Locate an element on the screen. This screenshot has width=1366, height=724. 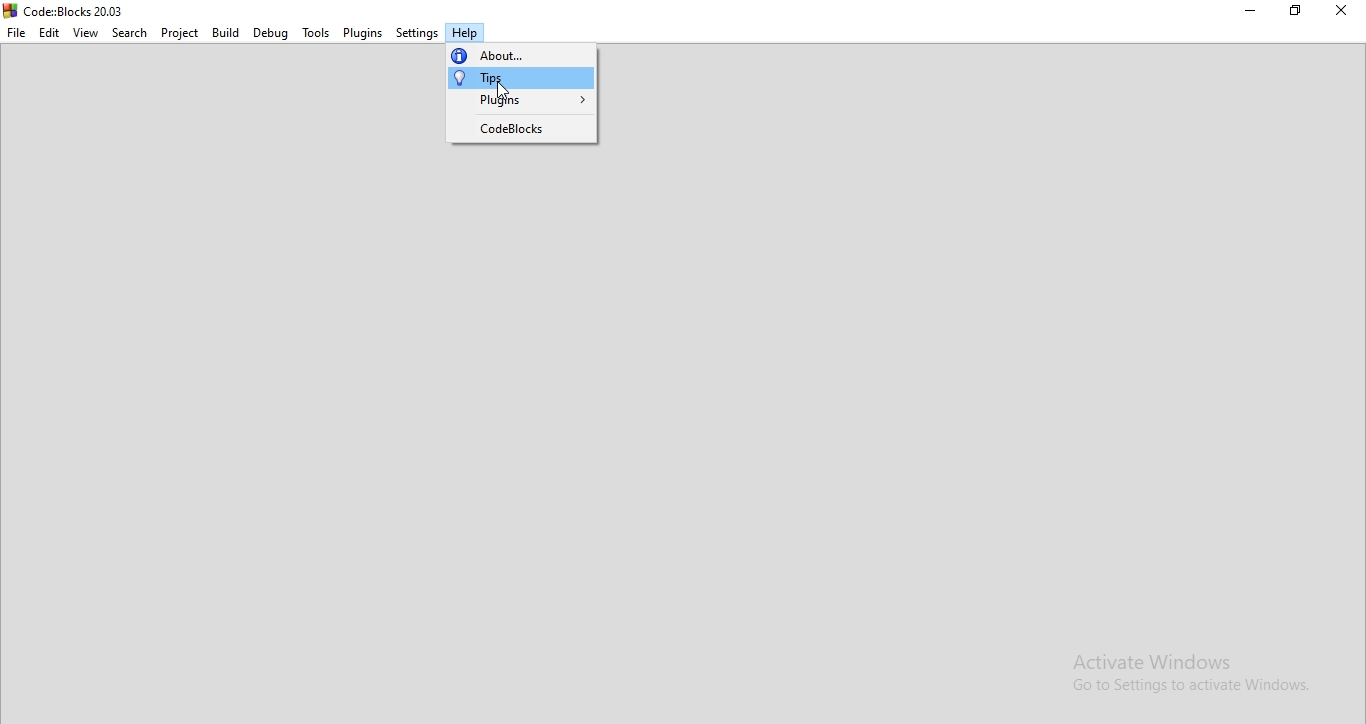
View  is located at coordinates (86, 33).